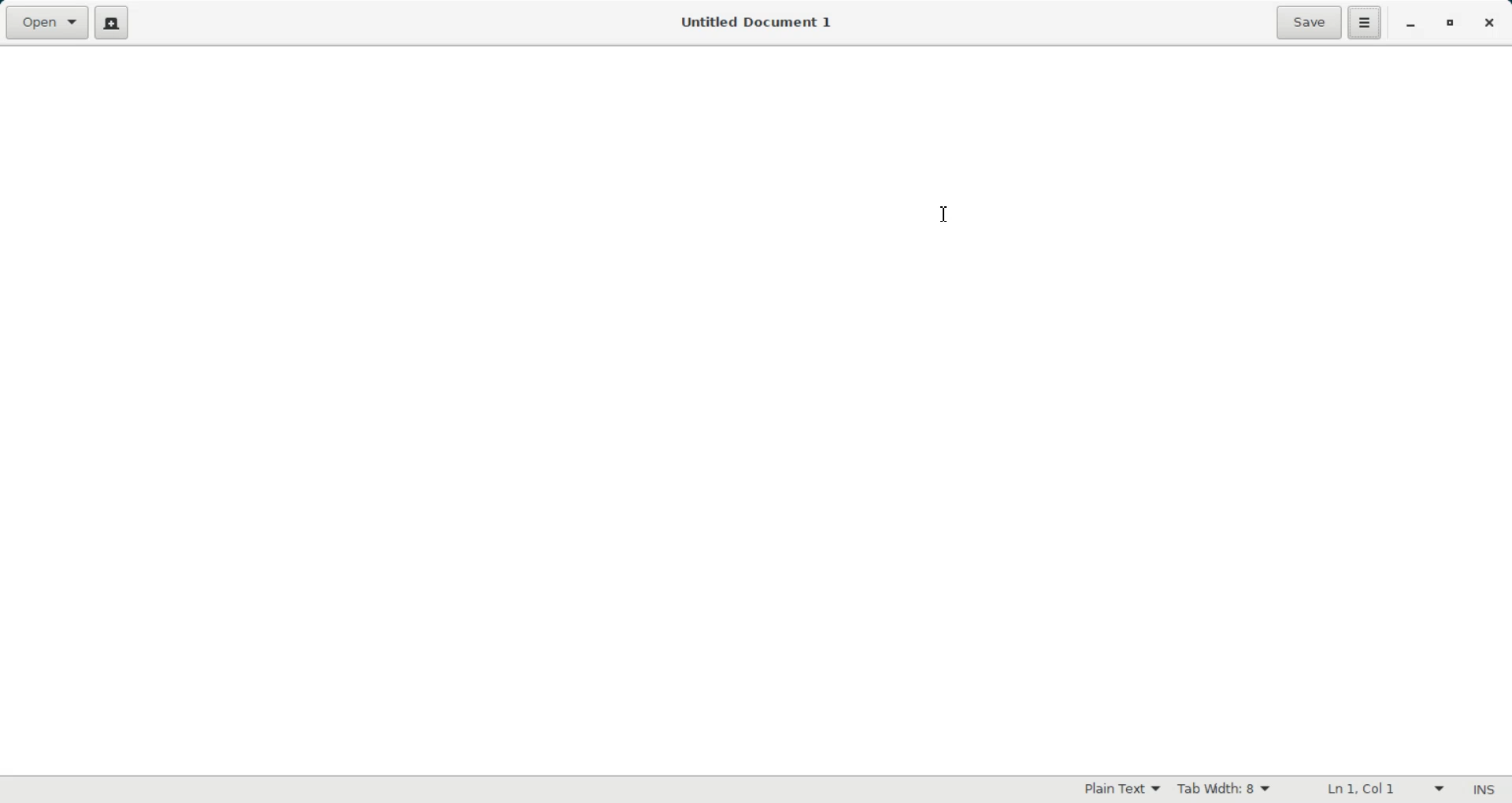  I want to click on Untitled Document 1, so click(758, 24).